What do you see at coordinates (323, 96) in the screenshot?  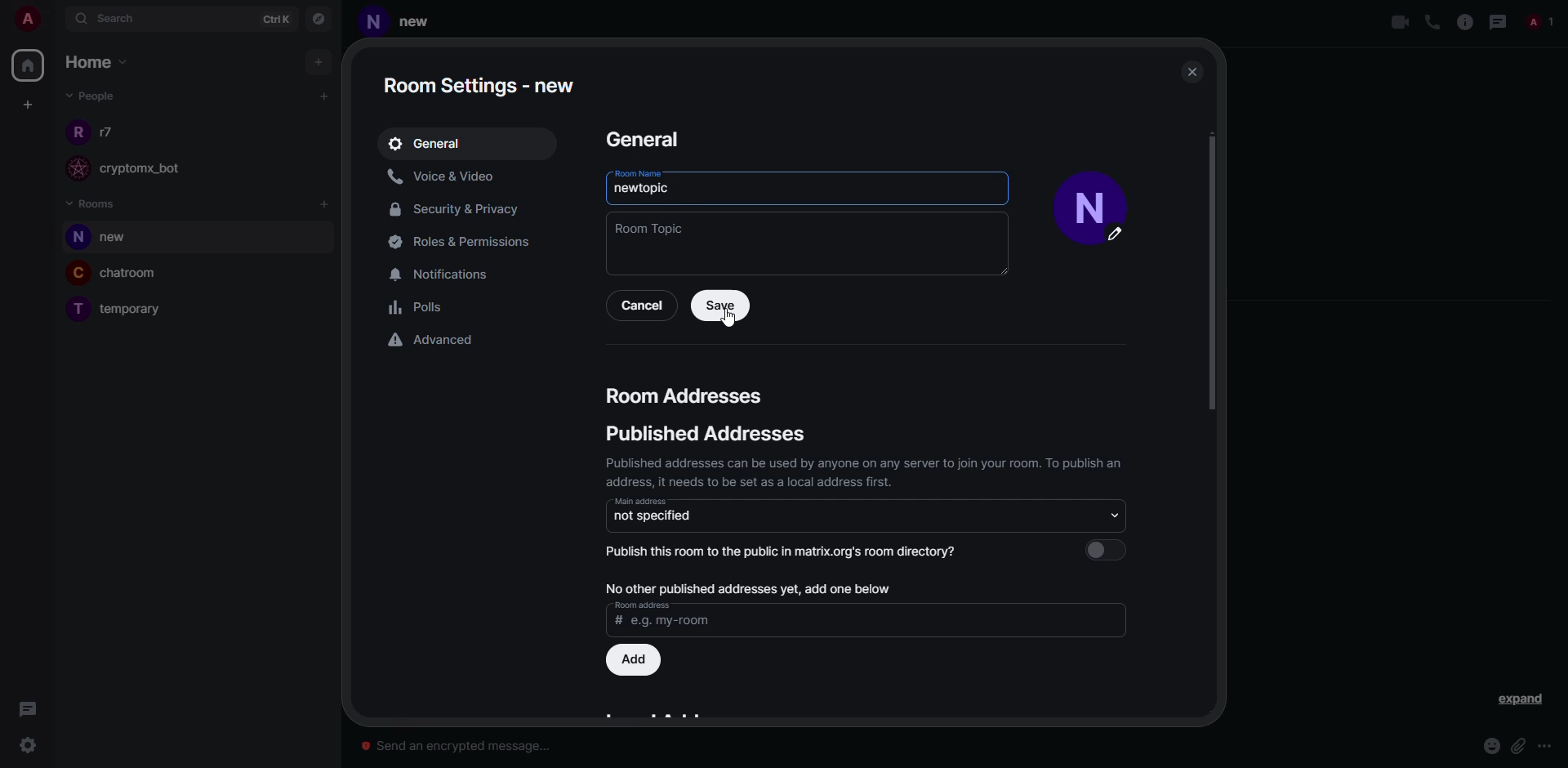 I see `start chat` at bounding box center [323, 96].